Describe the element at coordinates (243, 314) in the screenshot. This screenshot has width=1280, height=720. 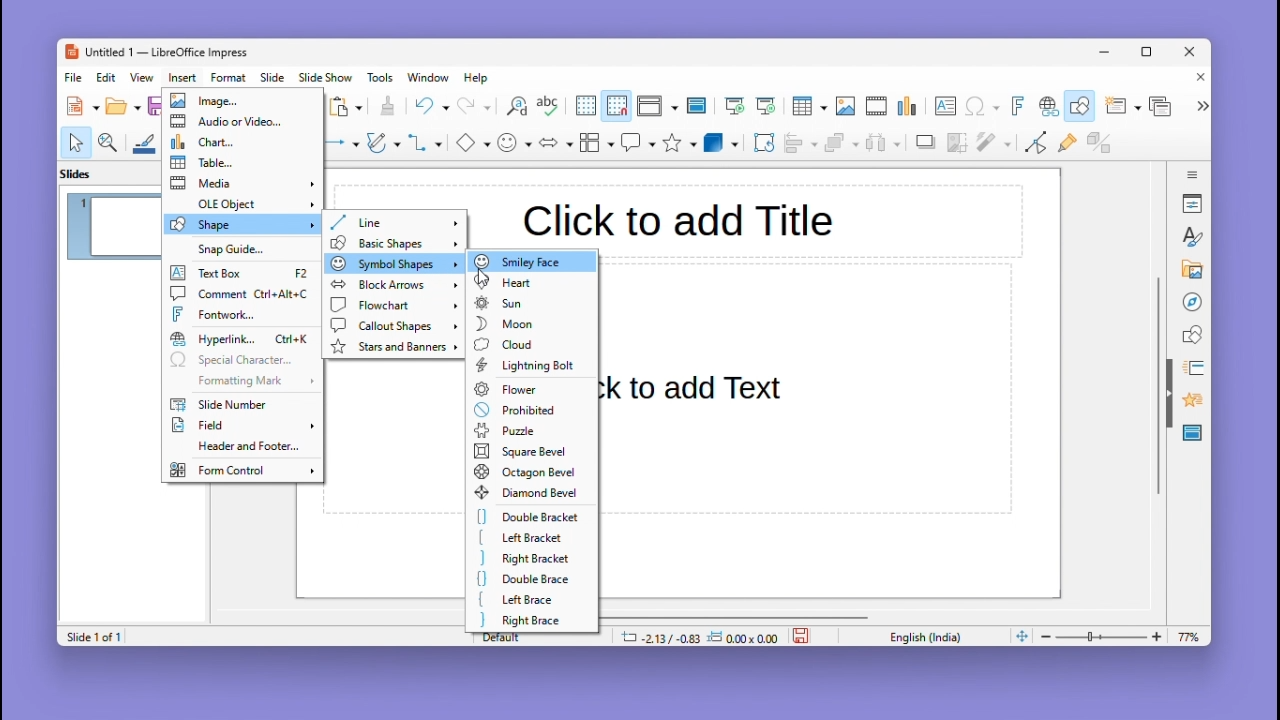
I see `font Work` at that location.